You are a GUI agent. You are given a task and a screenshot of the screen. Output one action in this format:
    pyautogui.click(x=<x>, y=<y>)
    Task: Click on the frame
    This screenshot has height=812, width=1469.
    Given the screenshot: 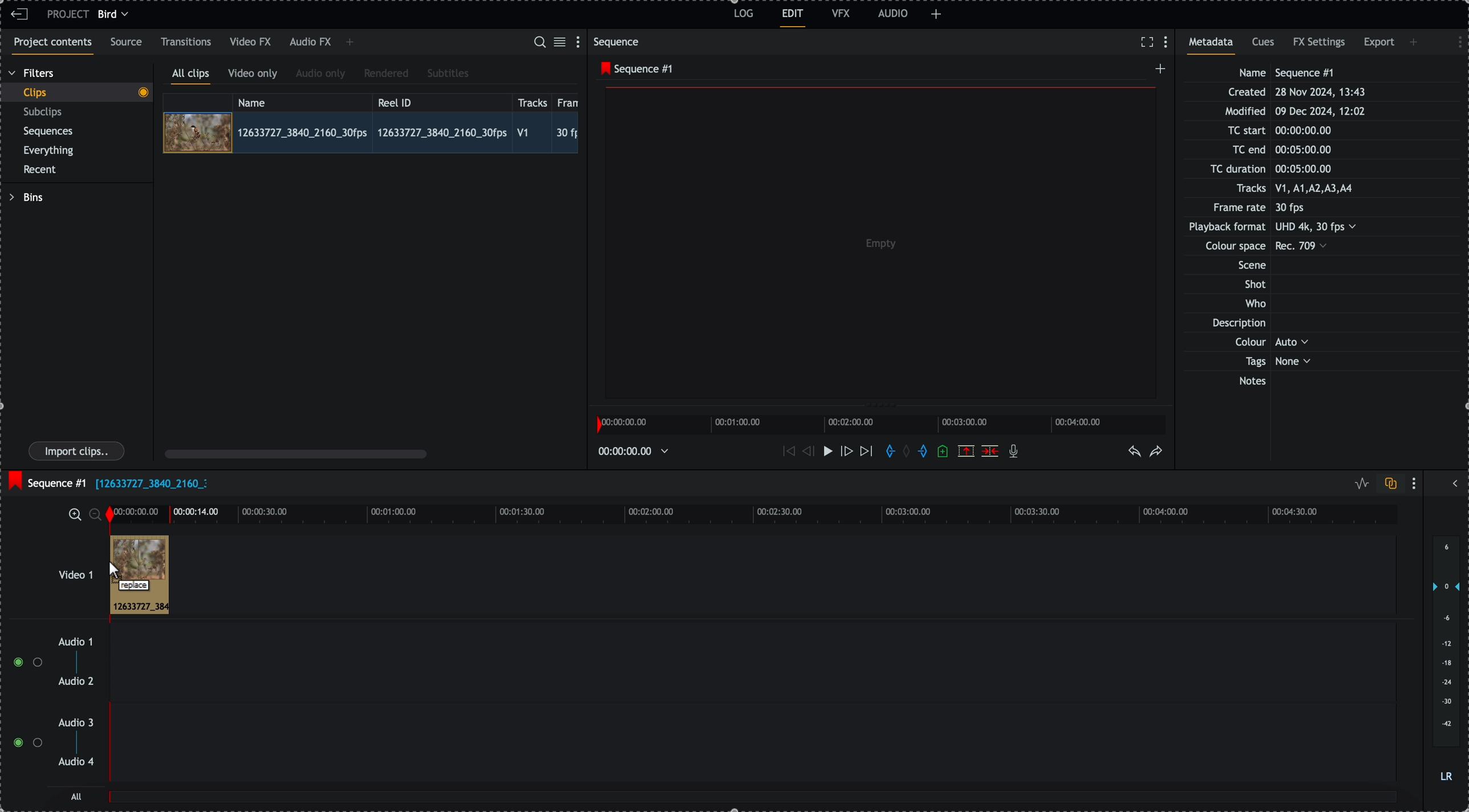 What is the action you would take?
    pyautogui.click(x=570, y=101)
    